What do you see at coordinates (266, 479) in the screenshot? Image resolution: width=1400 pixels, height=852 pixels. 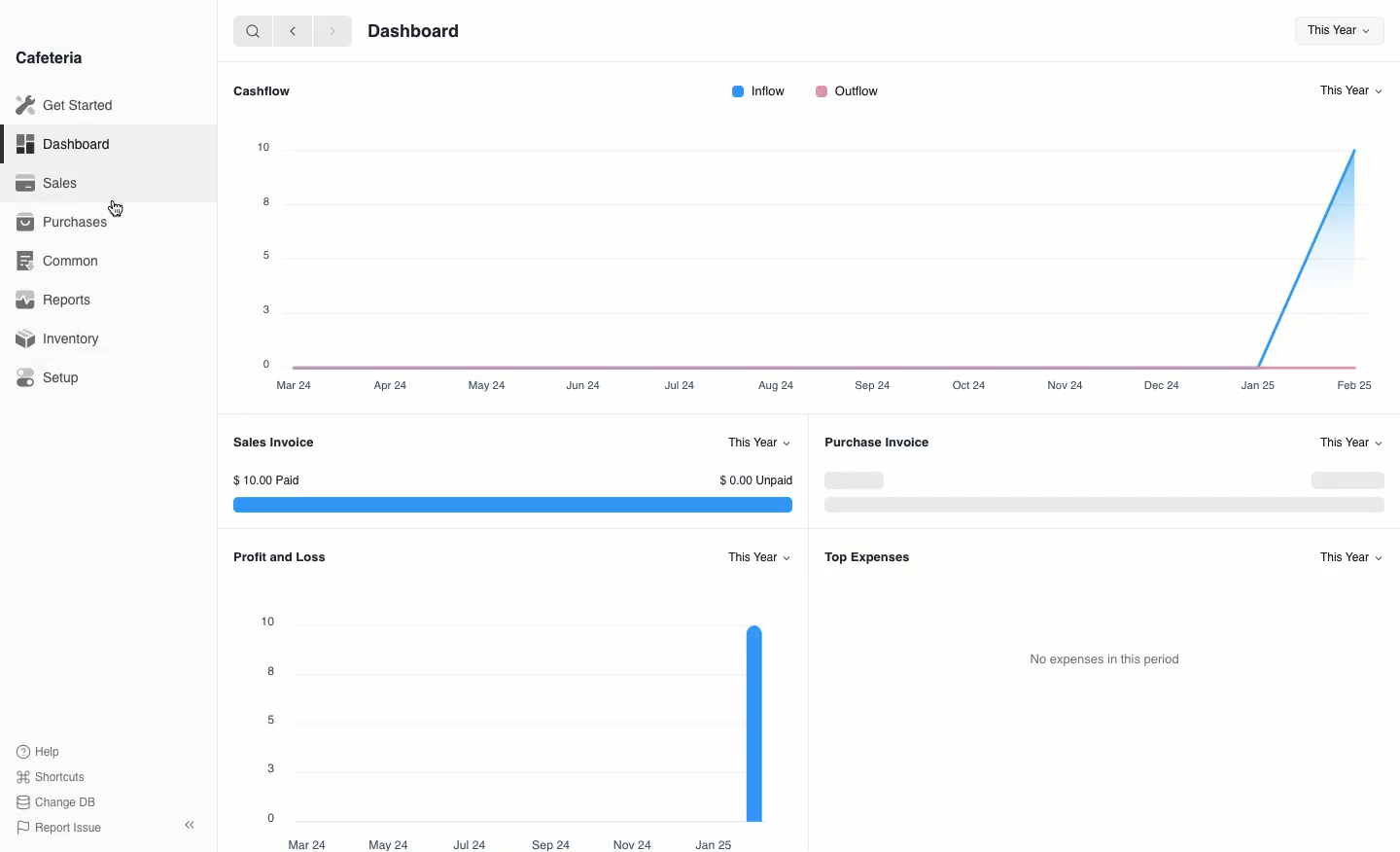 I see `$10.00 Paid` at bounding box center [266, 479].